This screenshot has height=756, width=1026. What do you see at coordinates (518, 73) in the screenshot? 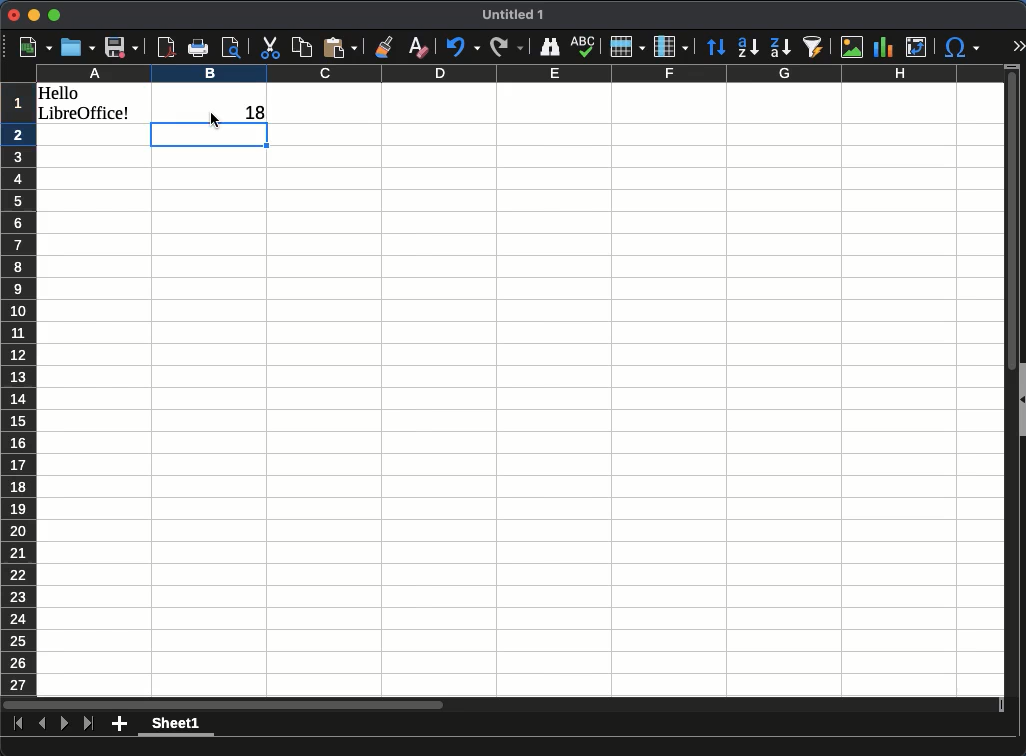
I see `columns` at bounding box center [518, 73].